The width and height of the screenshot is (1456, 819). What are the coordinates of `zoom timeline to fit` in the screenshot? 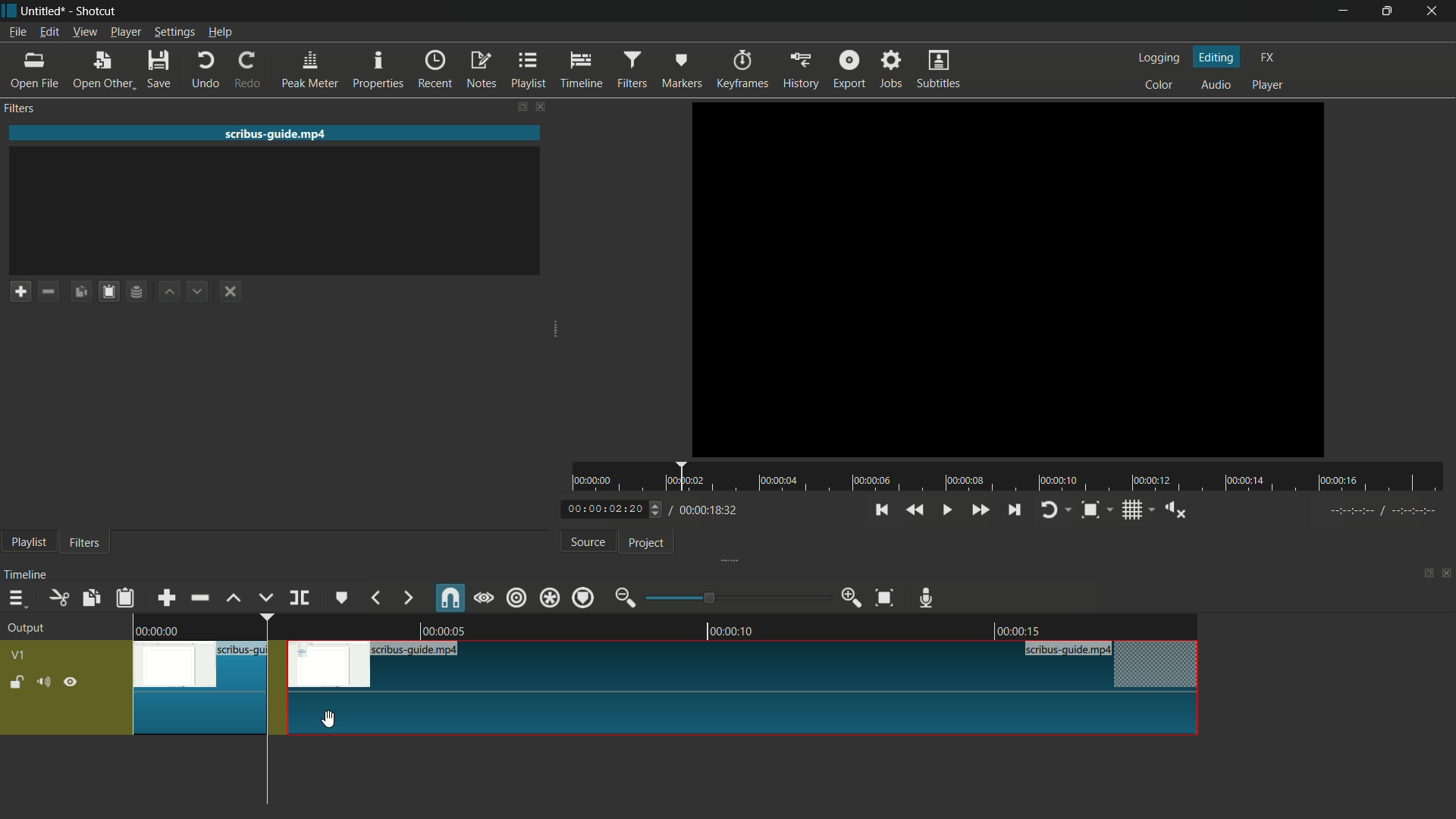 It's located at (885, 598).